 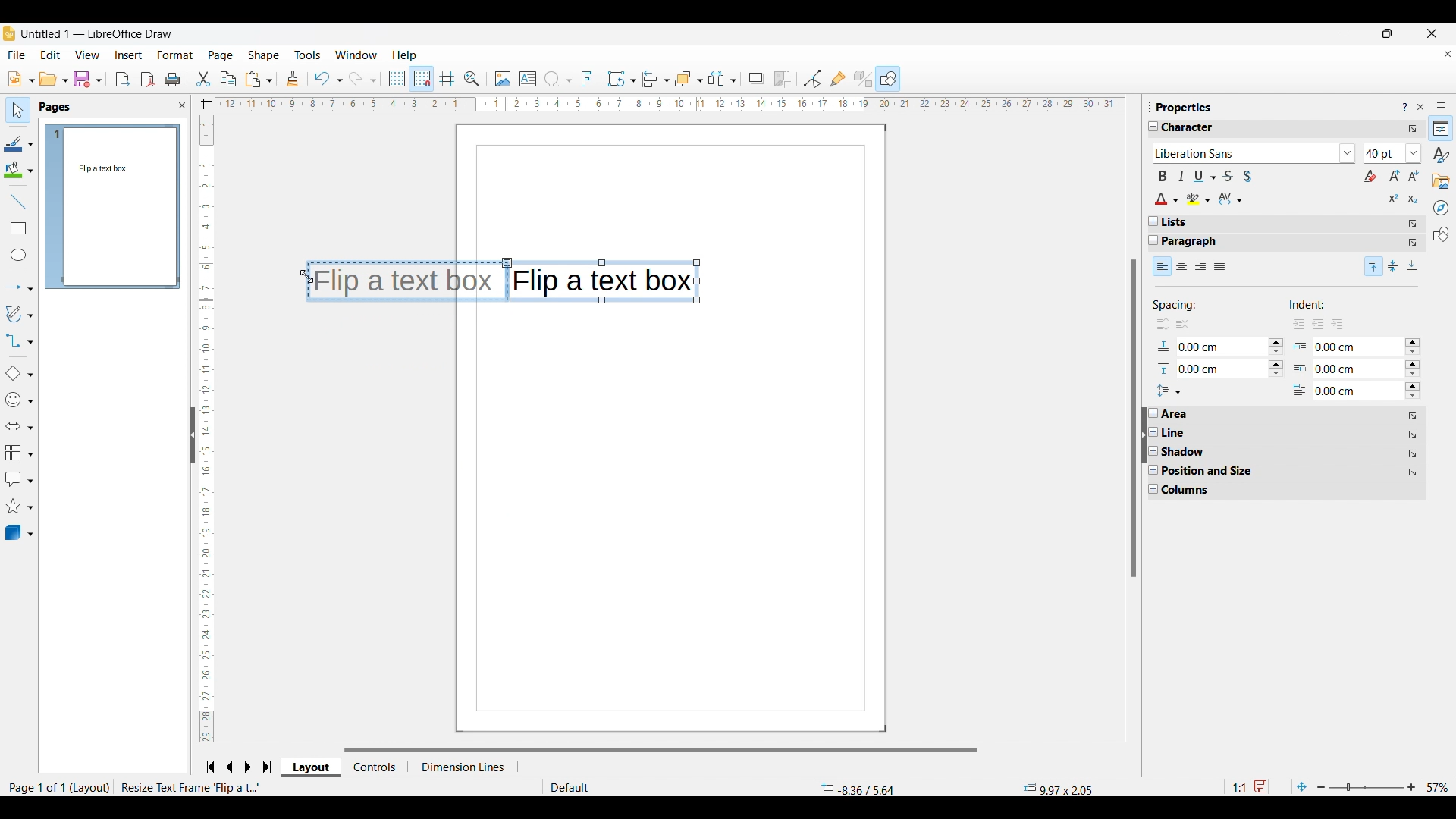 I want to click on Line property, so click(x=1202, y=433).